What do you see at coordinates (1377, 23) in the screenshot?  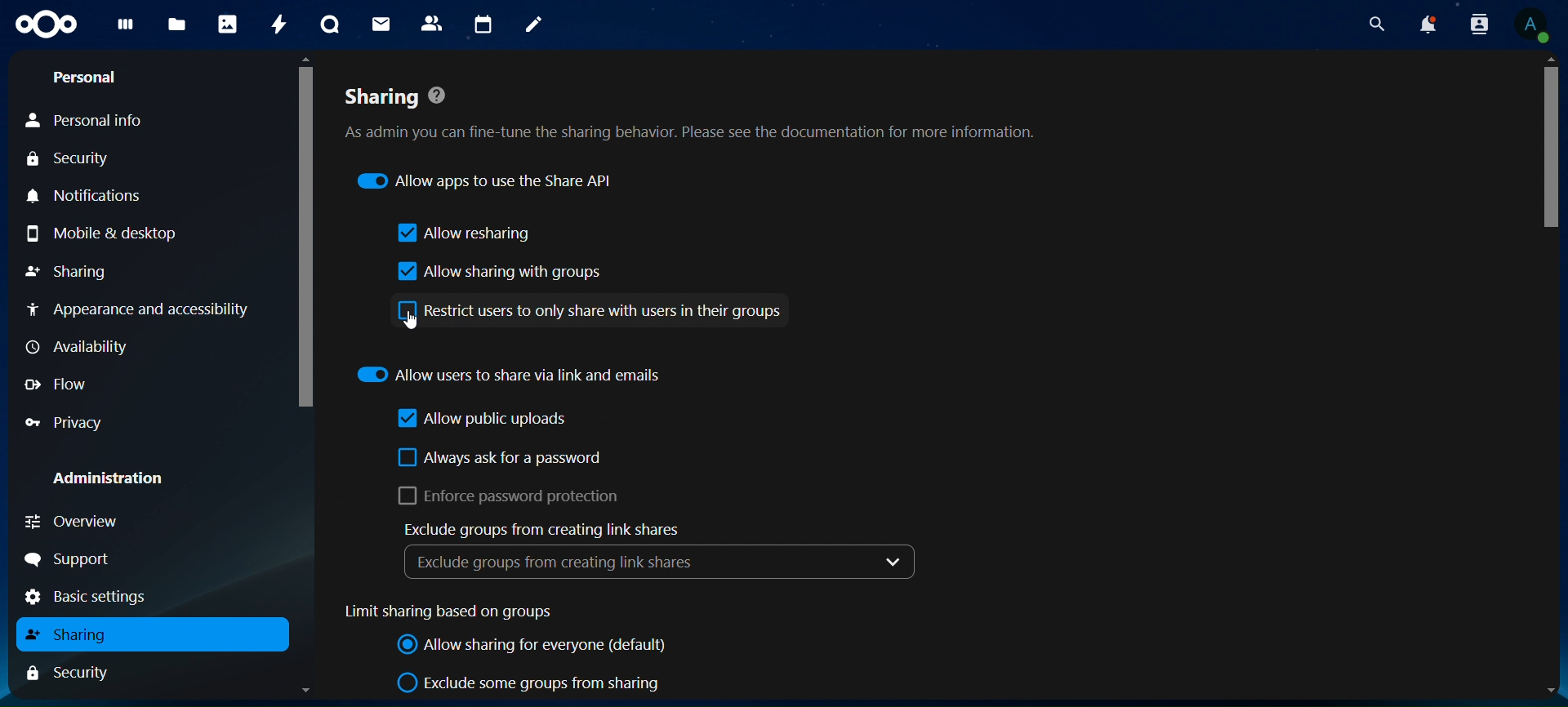 I see `search` at bounding box center [1377, 23].